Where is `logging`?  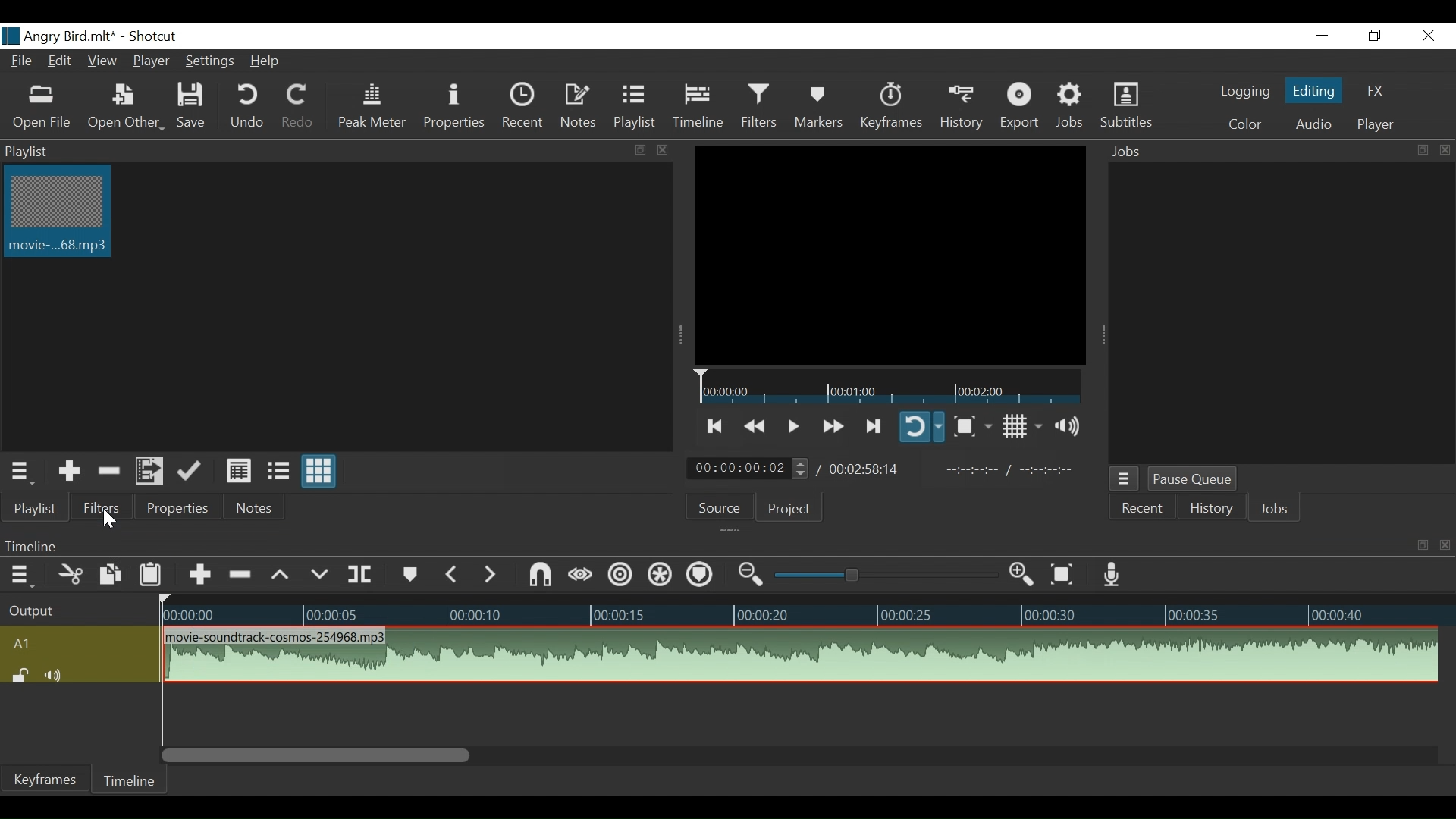 logging is located at coordinates (1243, 93).